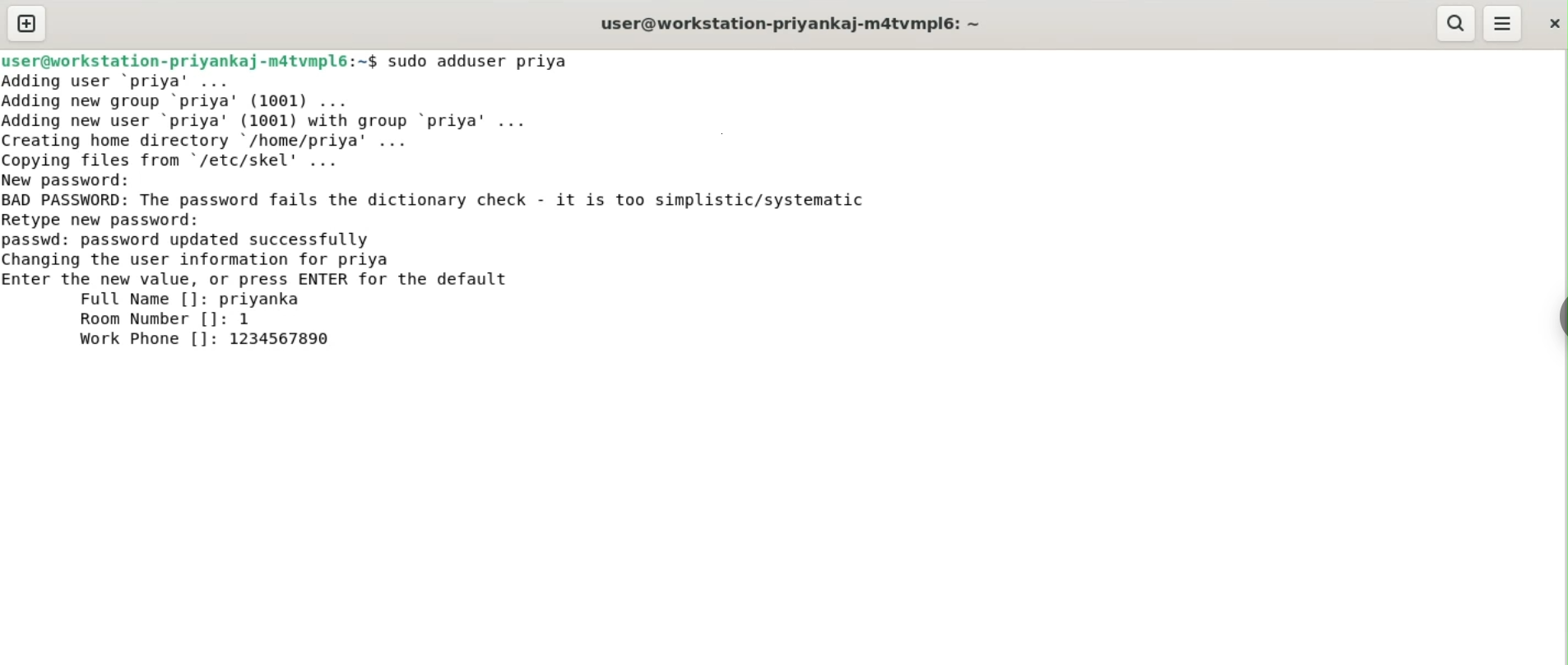  Describe the element at coordinates (109, 299) in the screenshot. I see `full name [] :` at that location.